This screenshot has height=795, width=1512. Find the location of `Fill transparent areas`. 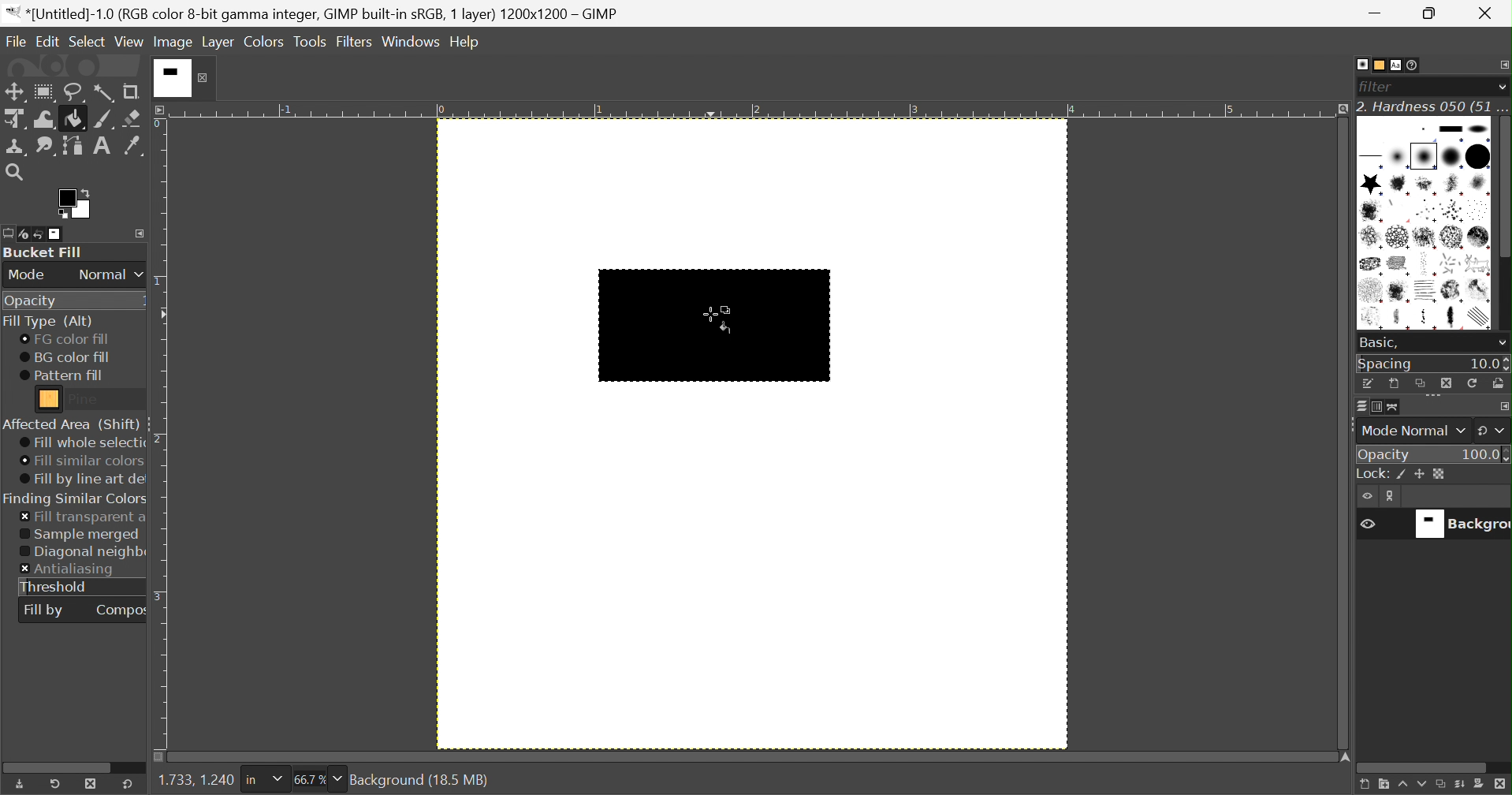

Fill transparent areas is located at coordinates (83, 517).